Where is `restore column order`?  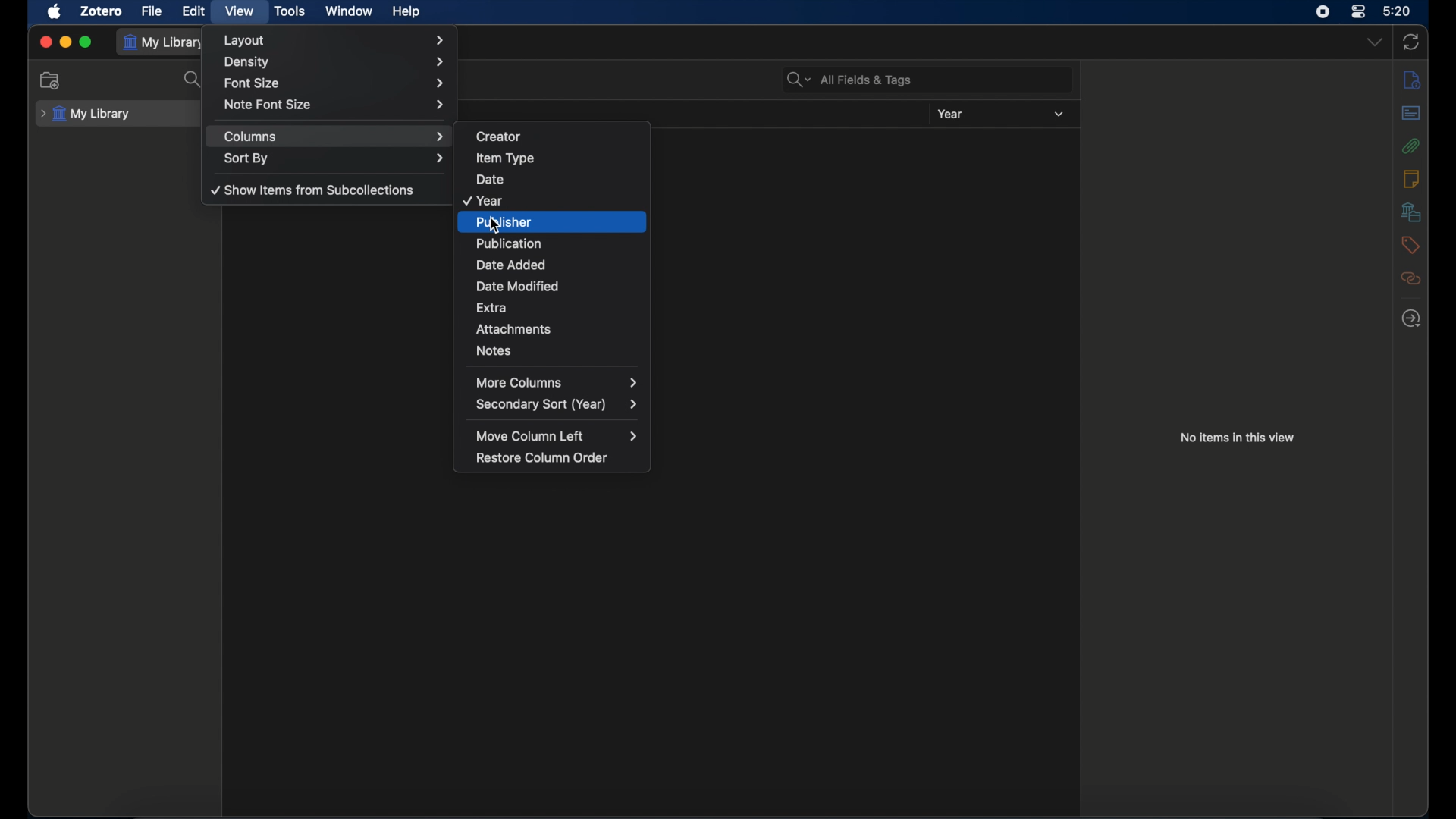 restore column order is located at coordinates (546, 457).